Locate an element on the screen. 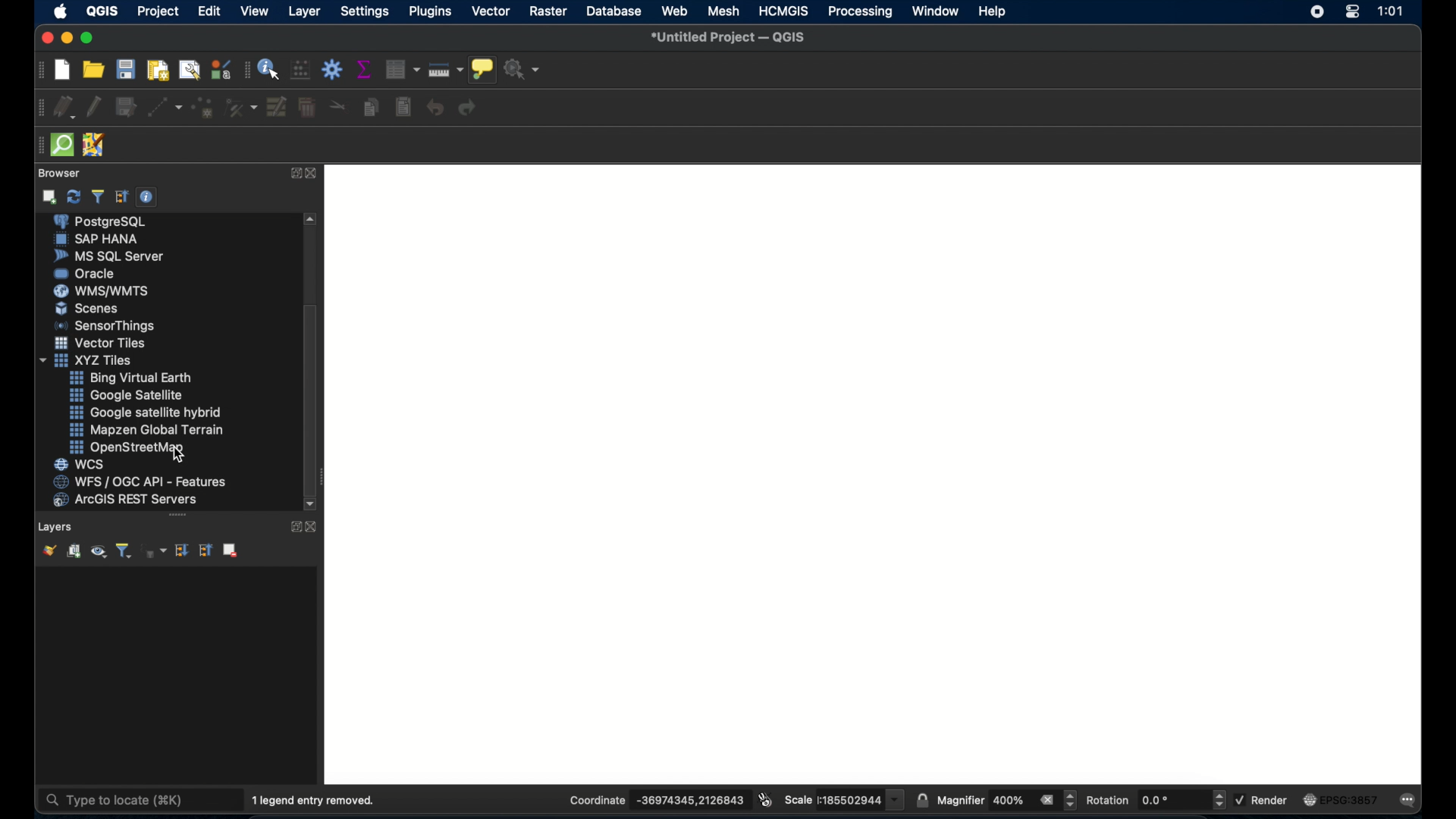  lock scale is located at coordinates (923, 799).